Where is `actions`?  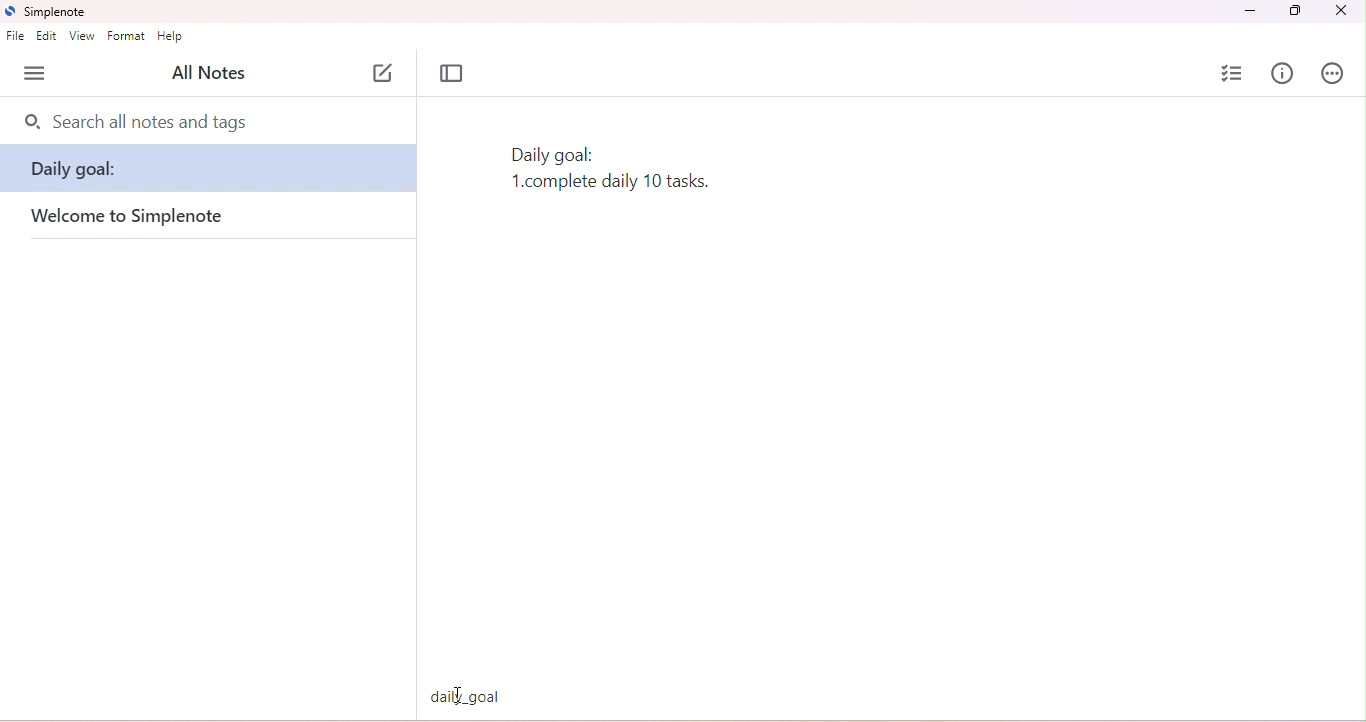 actions is located at coordinates (1331, 73).